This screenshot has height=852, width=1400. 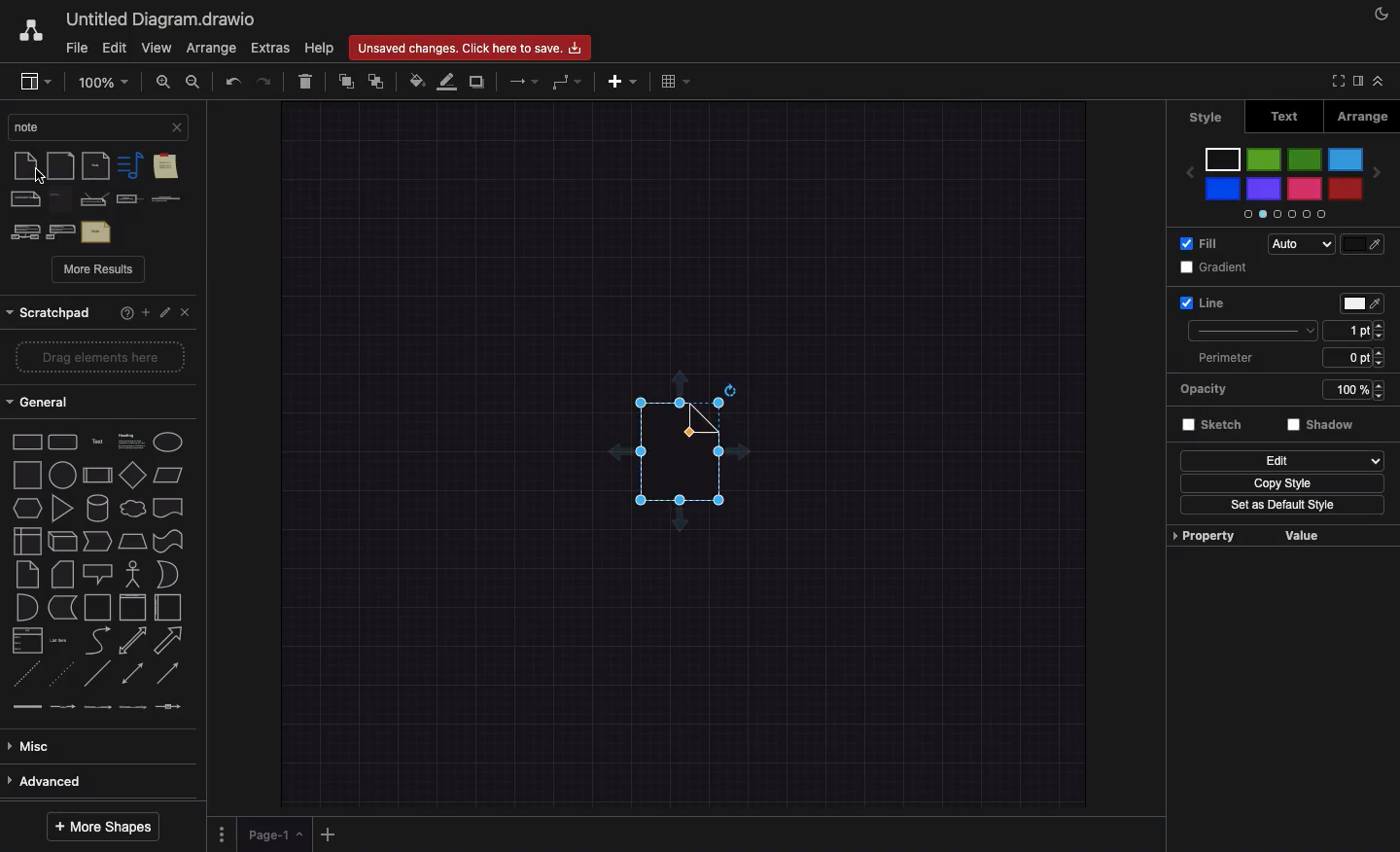 I want to click on connector with symbol, so click(x=169, y=713).